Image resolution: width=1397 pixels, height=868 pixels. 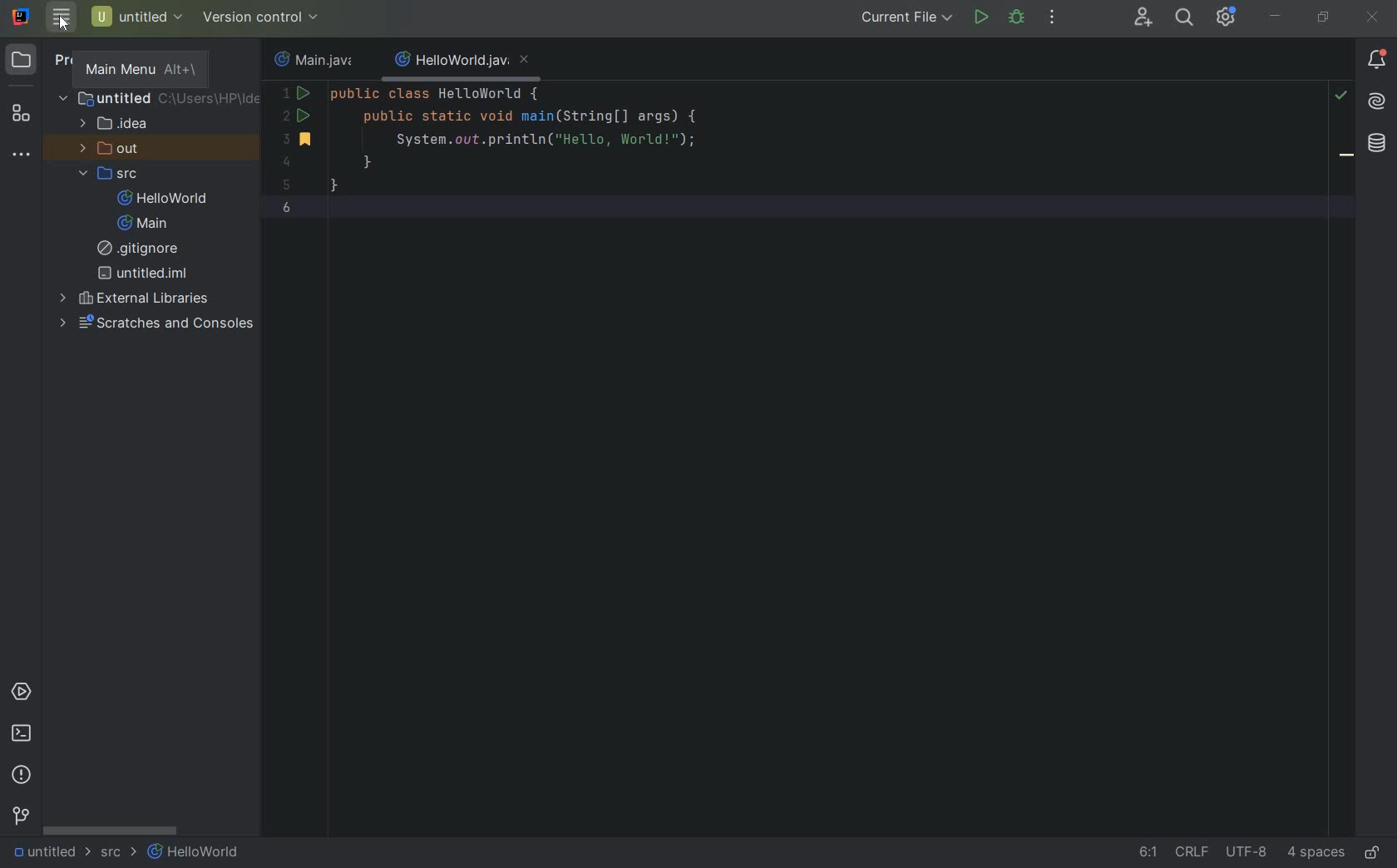 What do you see at coordinates (108, 147) in the screenshot?
I see `OUT` at bounding box center [108, 147].